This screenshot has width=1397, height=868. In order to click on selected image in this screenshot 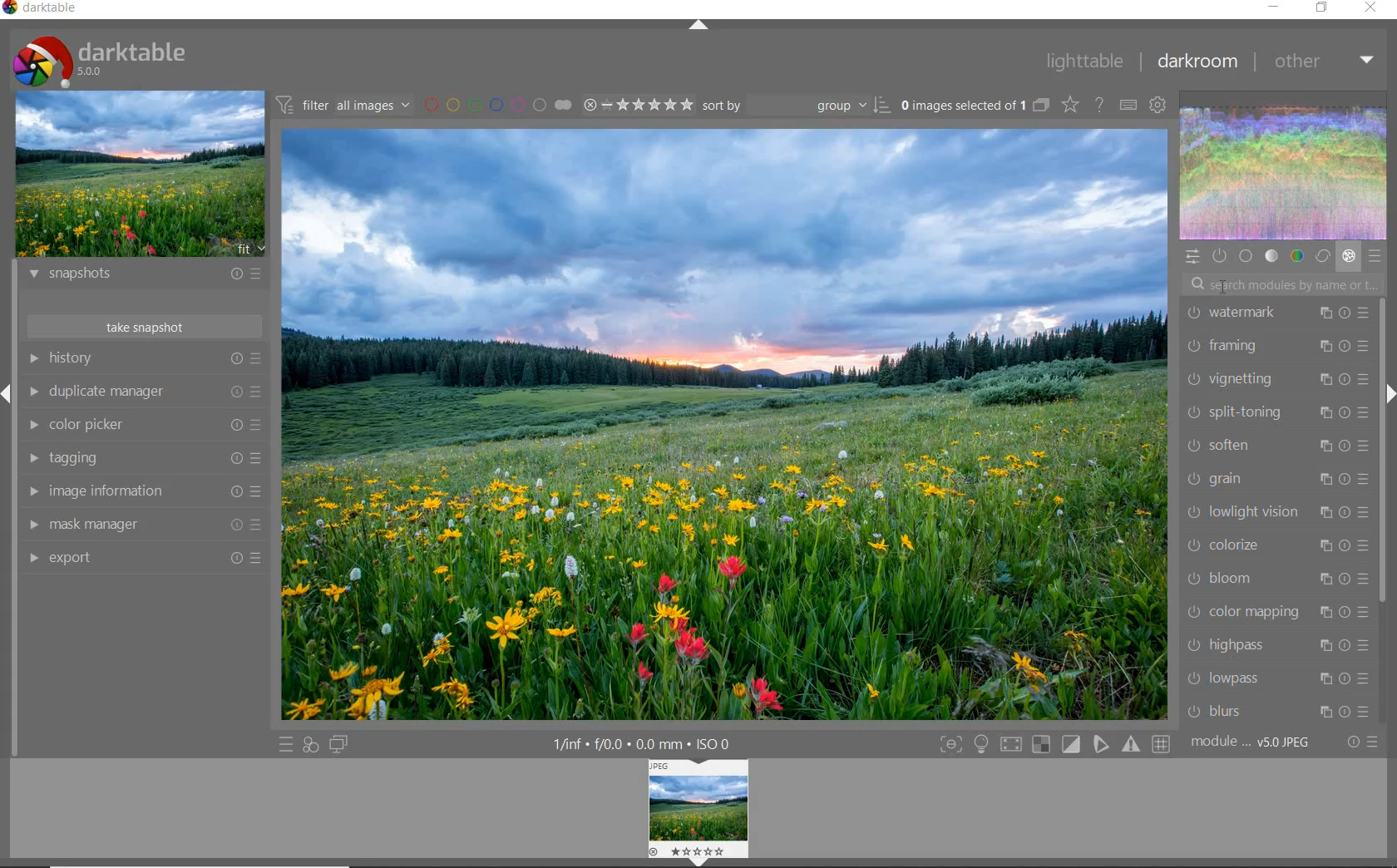, I will do `click(725, 425)`.